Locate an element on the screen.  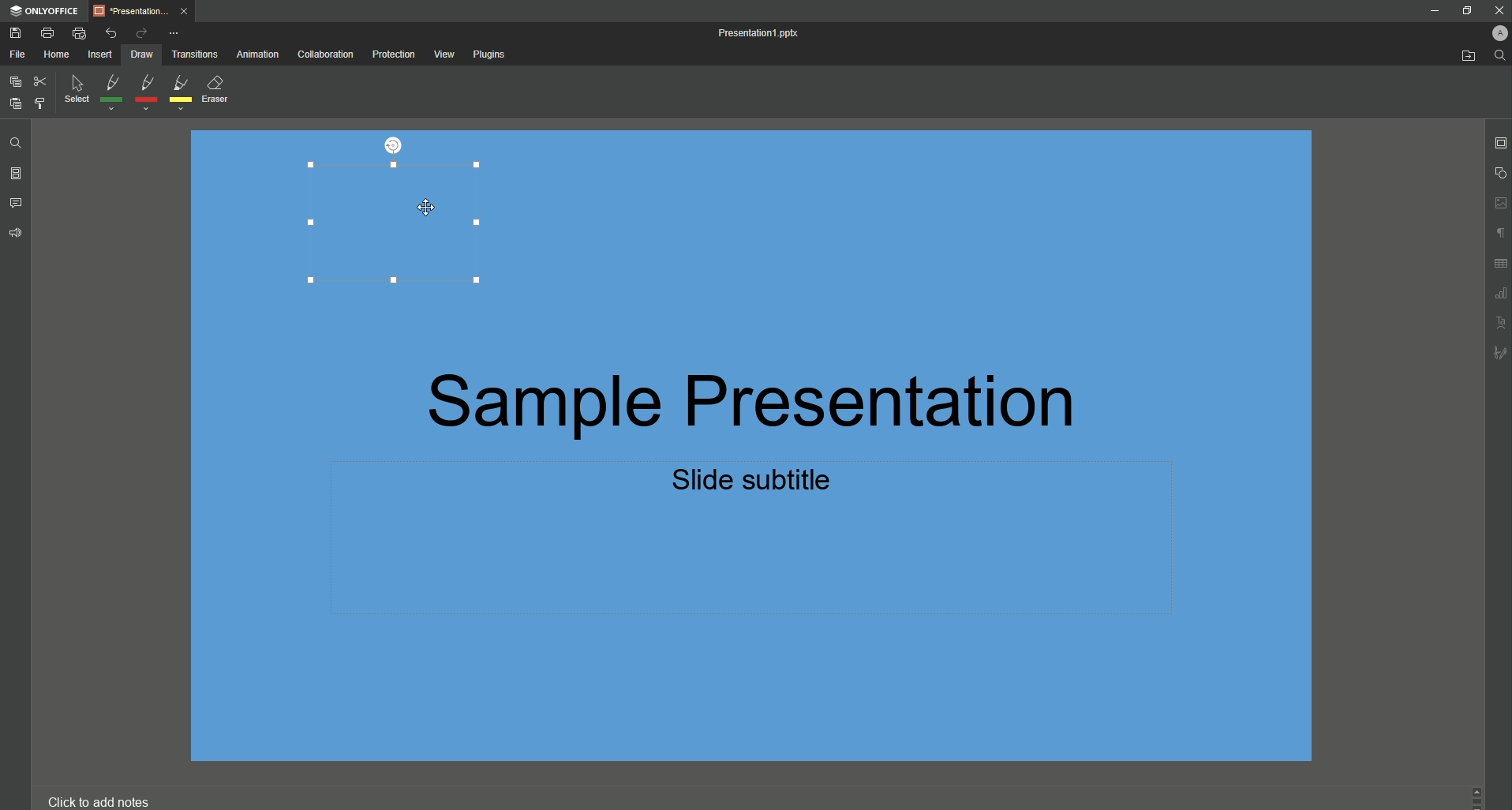
Insert is located at coordinates (99, 55).